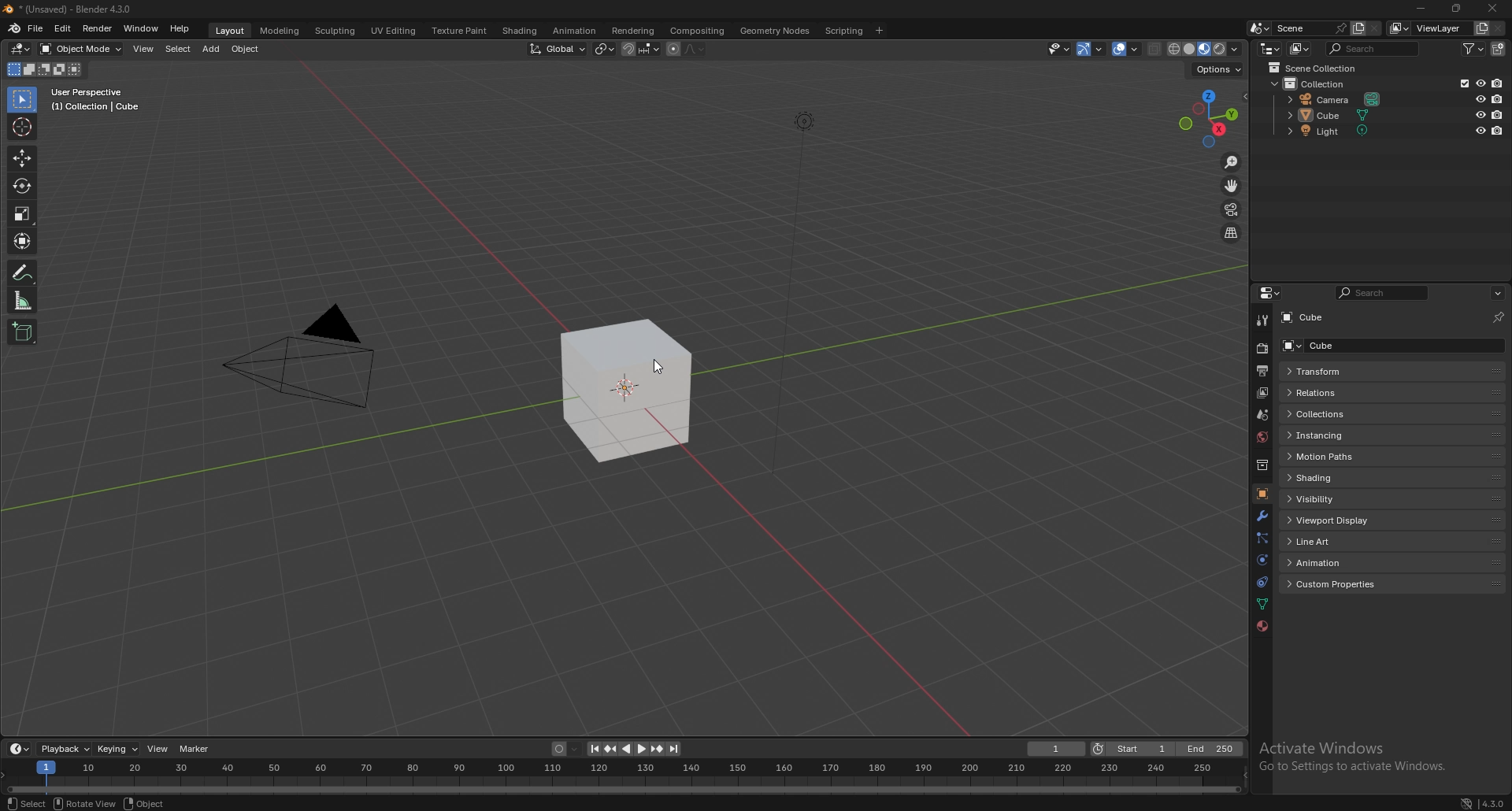 Image resolution: width=1512 pixels, height=811 pixels. Describe the element at coordinates (1309, 318) in the screenshot. I see `cube` at that location.